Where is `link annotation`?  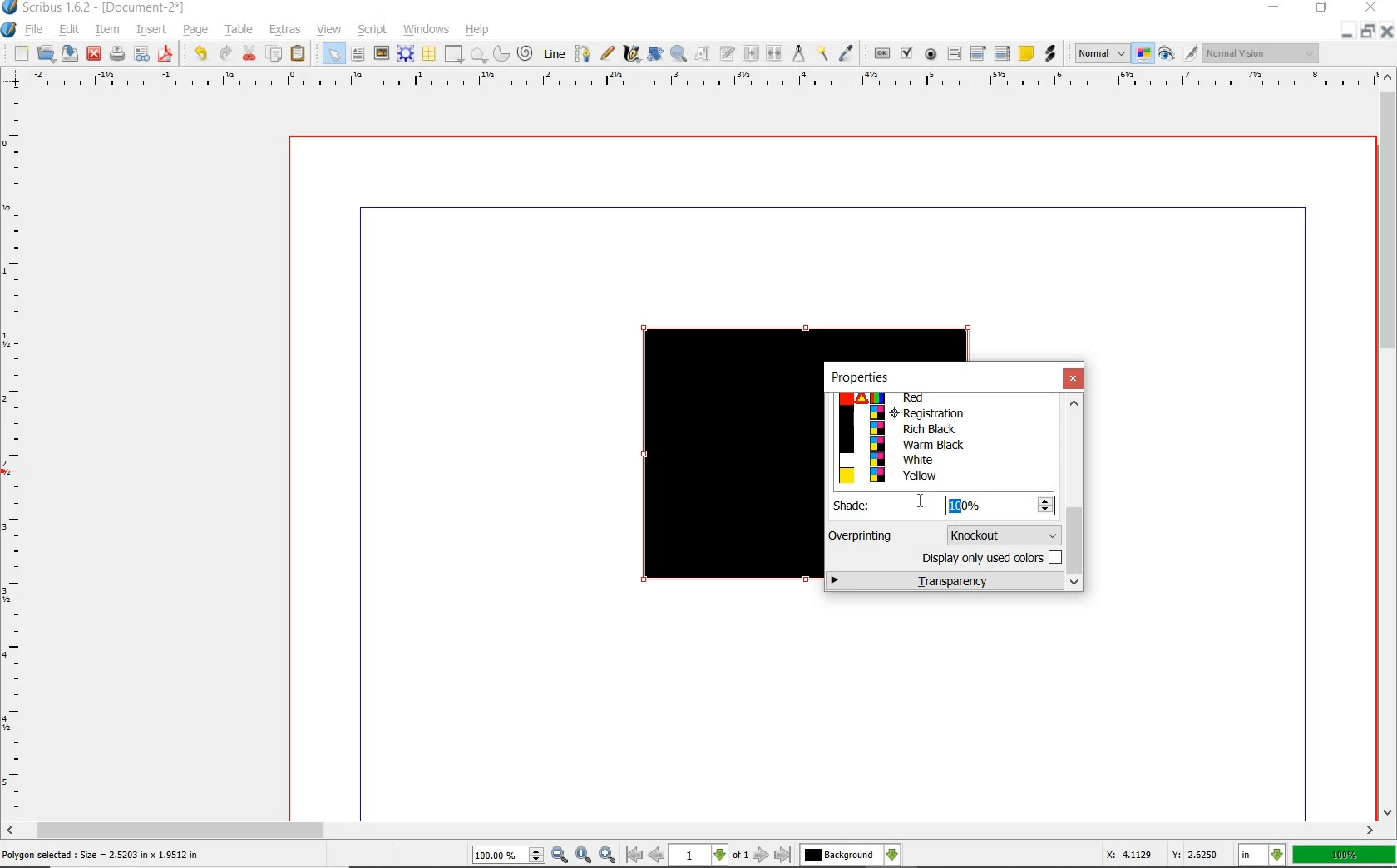
link annotation is located at coordinates (1050, 54).